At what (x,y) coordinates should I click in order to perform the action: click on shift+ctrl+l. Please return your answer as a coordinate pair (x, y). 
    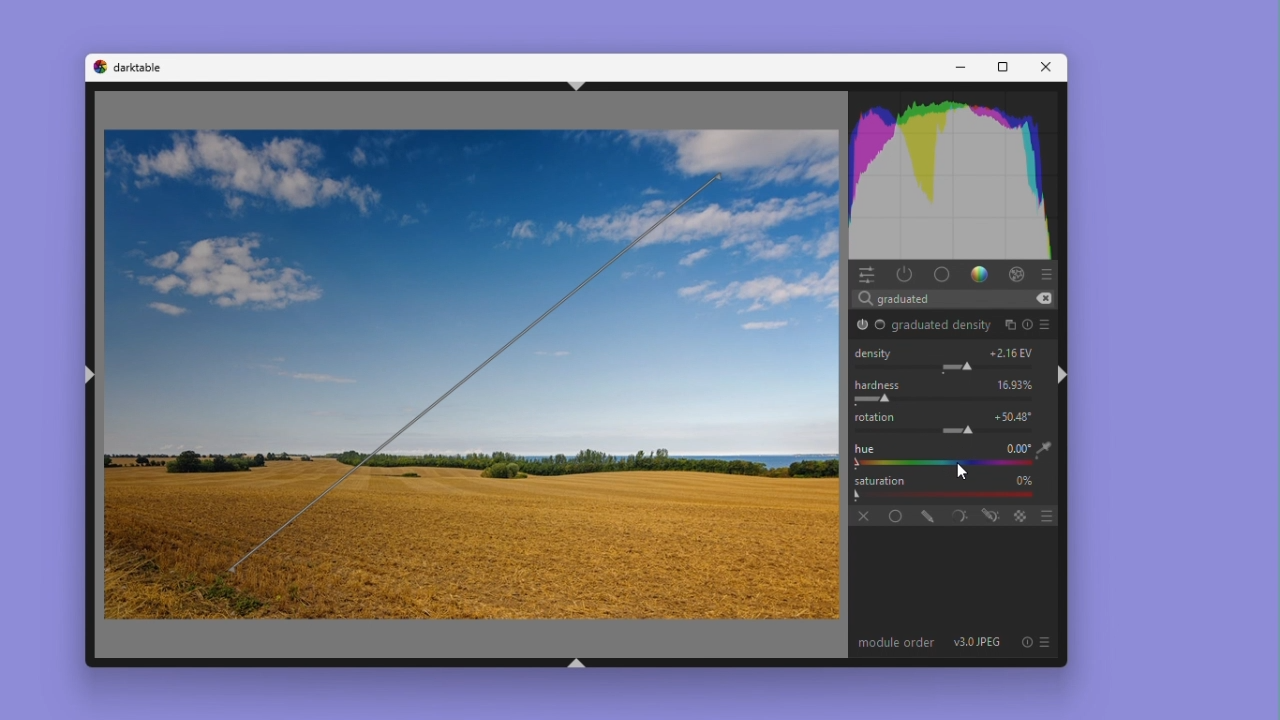
    Looking at the image, I should click on (93, 378).